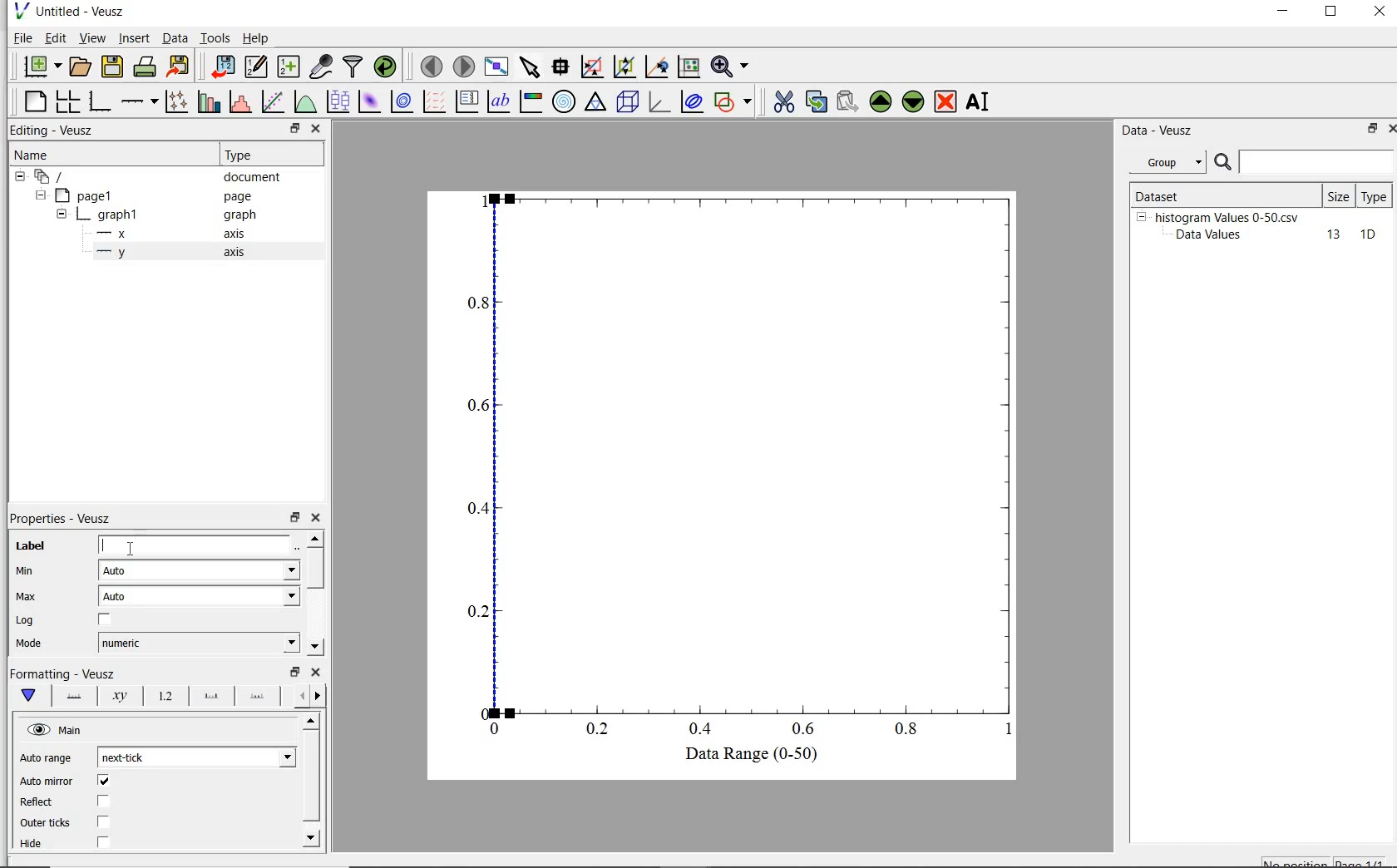  I want to click on plot bar charts, so click(209, 101).